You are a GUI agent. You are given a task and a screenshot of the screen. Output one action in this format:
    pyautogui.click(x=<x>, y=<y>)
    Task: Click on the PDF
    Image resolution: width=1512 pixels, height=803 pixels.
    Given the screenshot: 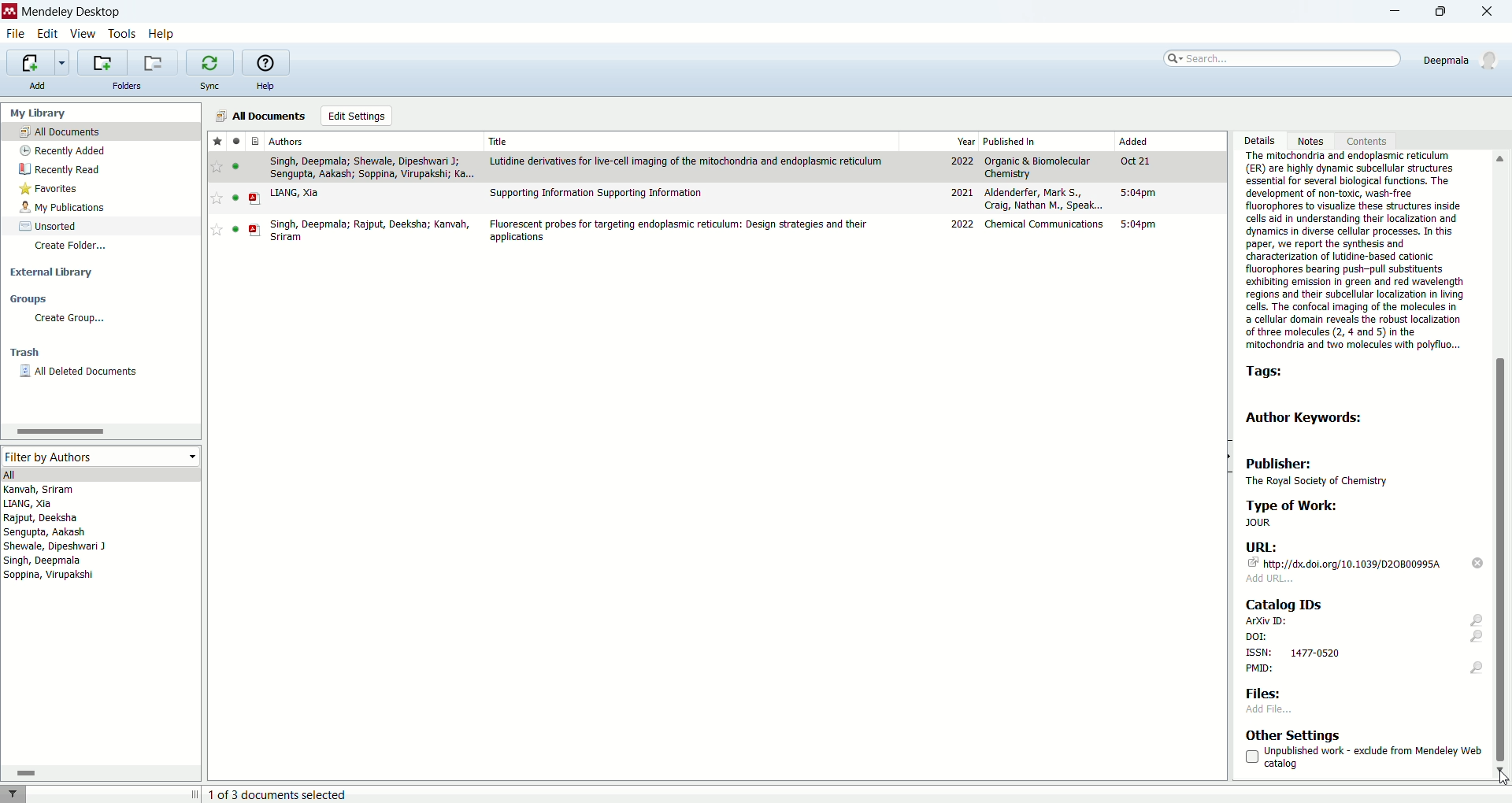 What is the action you would take?
    pyautogui.click(x=255, y=230)
    